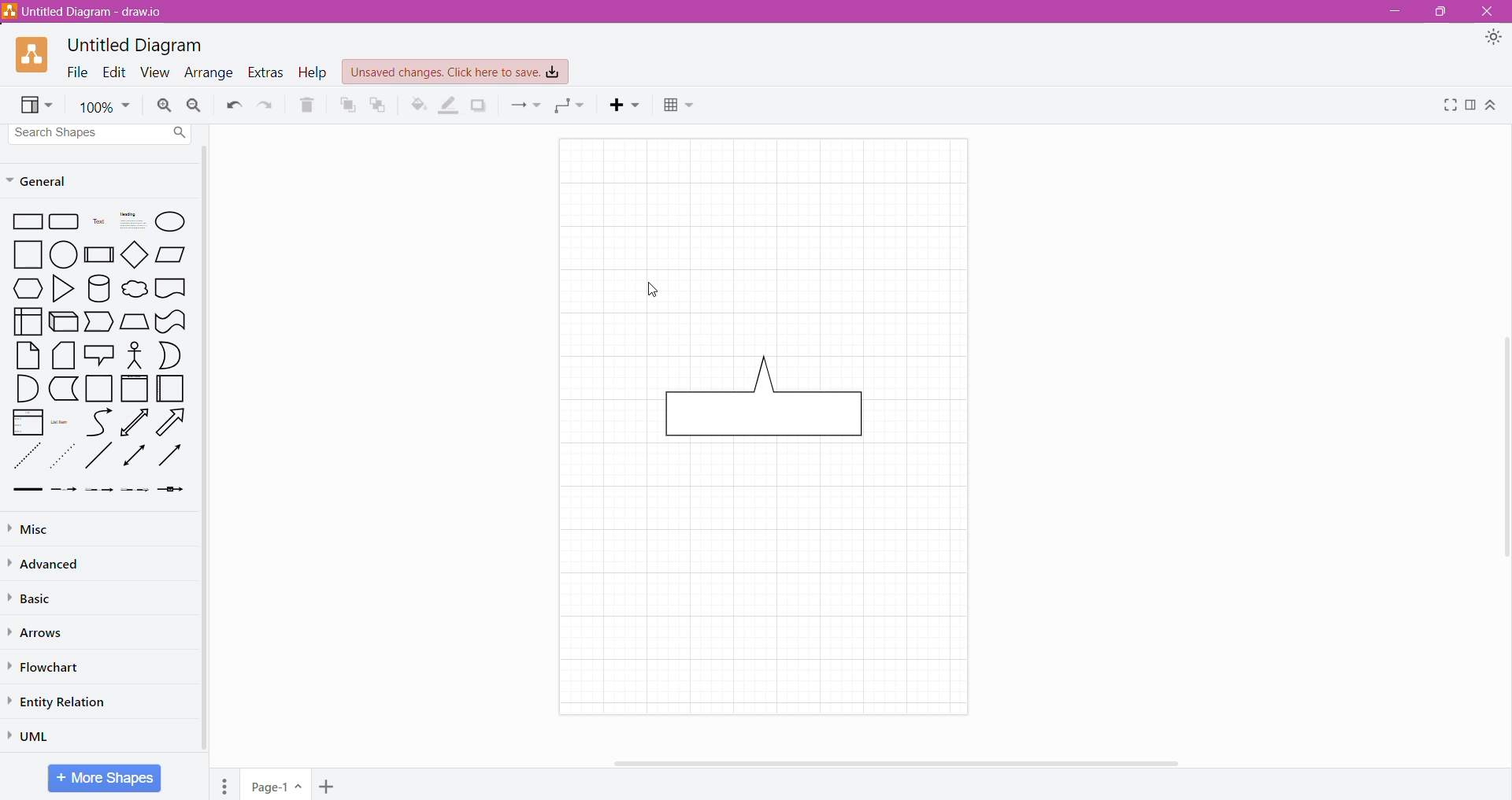 The height and width of the screenshot is (800, 1512). I want to click on Wavy Rectangle, so click(171, 321).